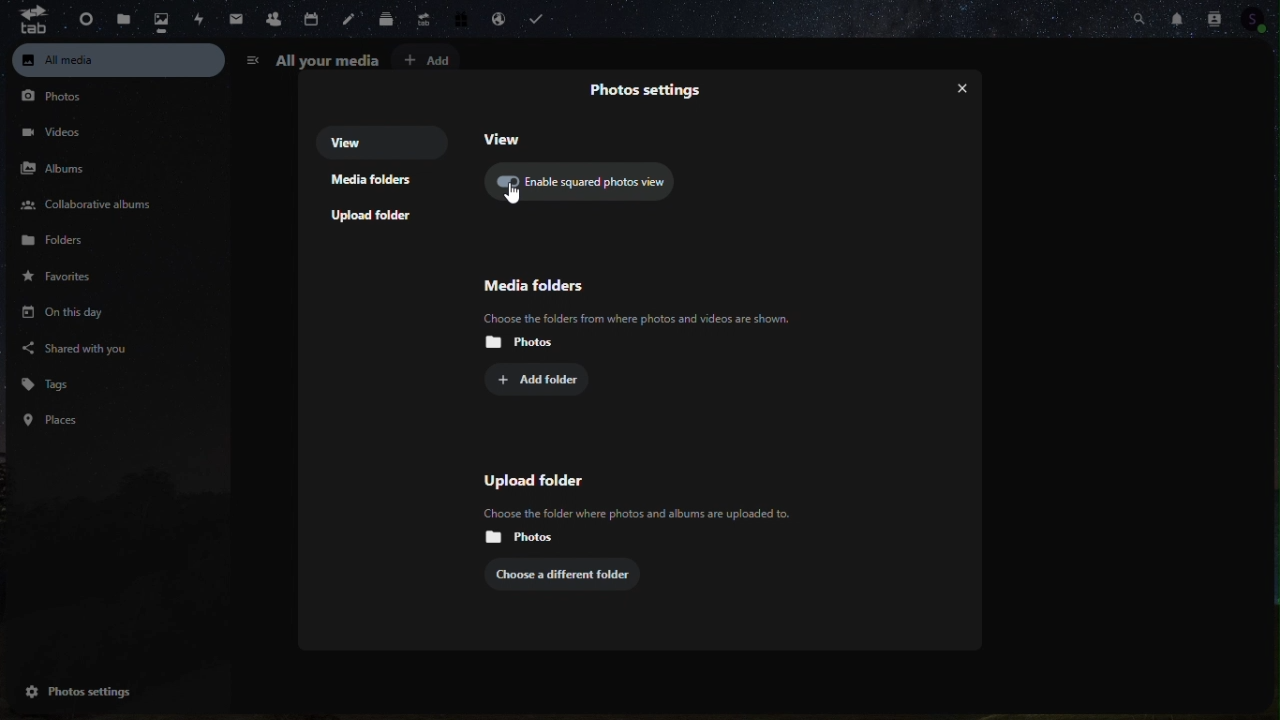  I want to click on Profile, so click(1258, 20).